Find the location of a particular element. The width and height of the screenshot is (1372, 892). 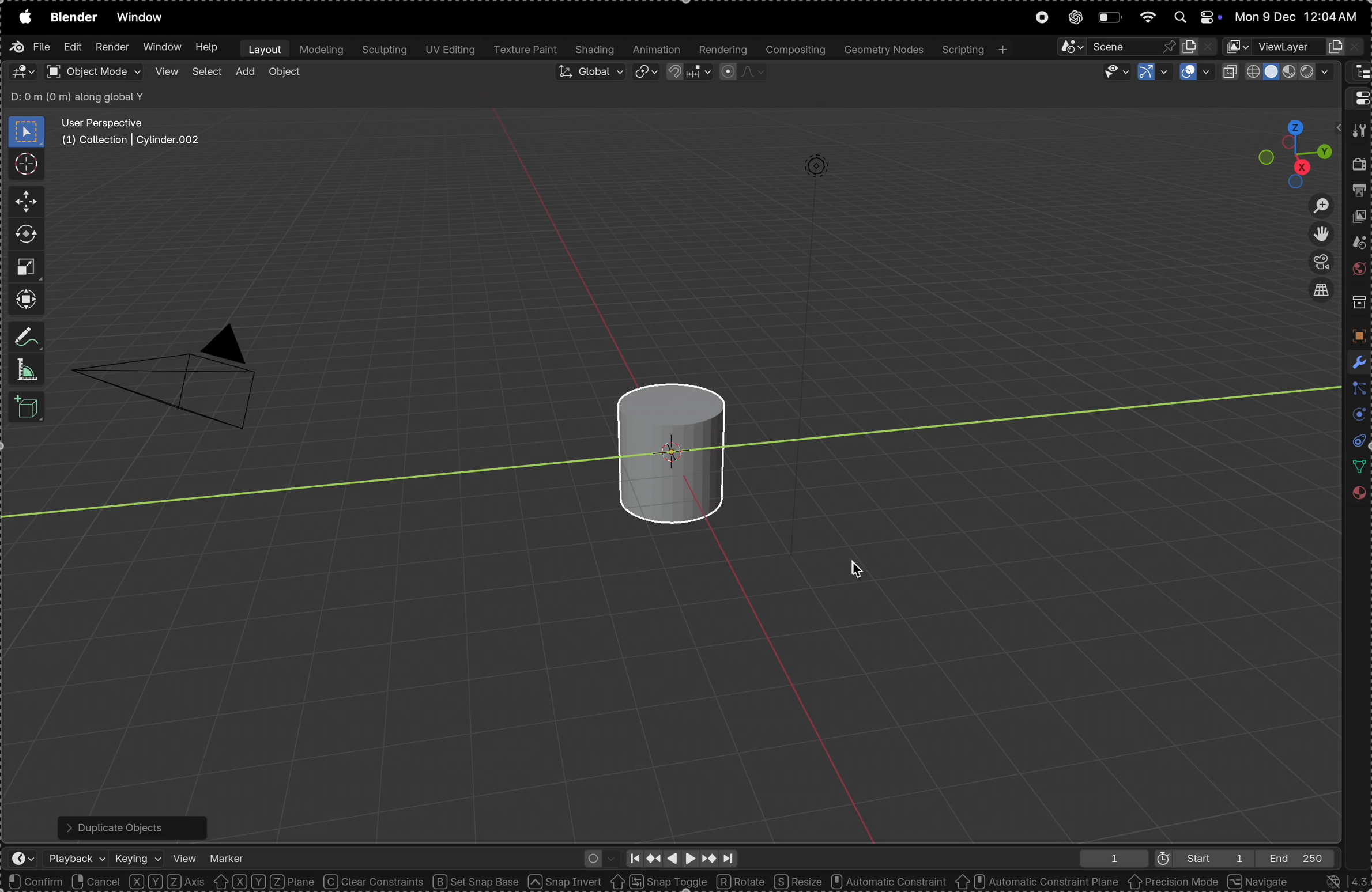

editor type is located at coordinates (17, 860).